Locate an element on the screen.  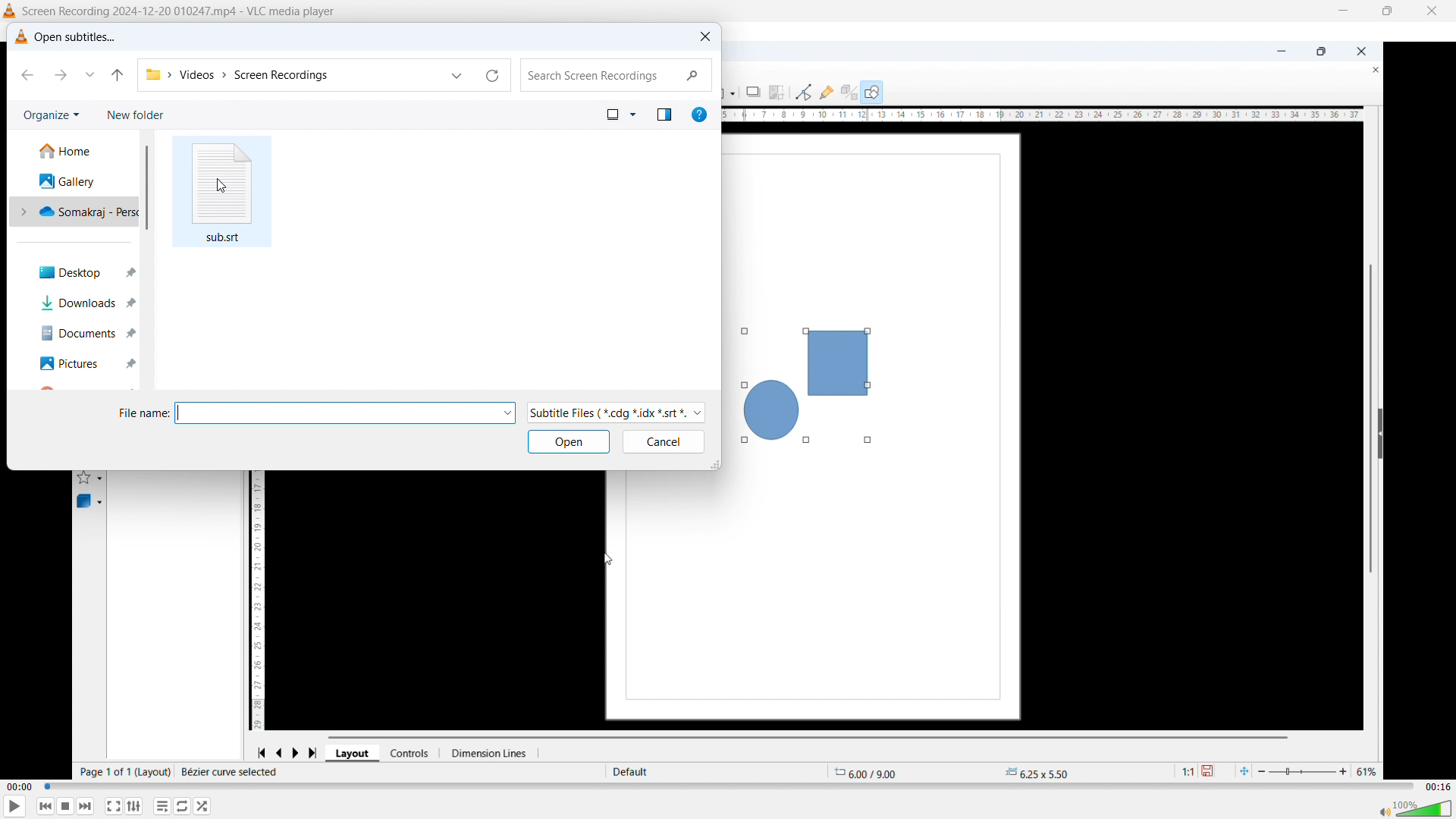
Full screen  is located at coordinates (114, 805).